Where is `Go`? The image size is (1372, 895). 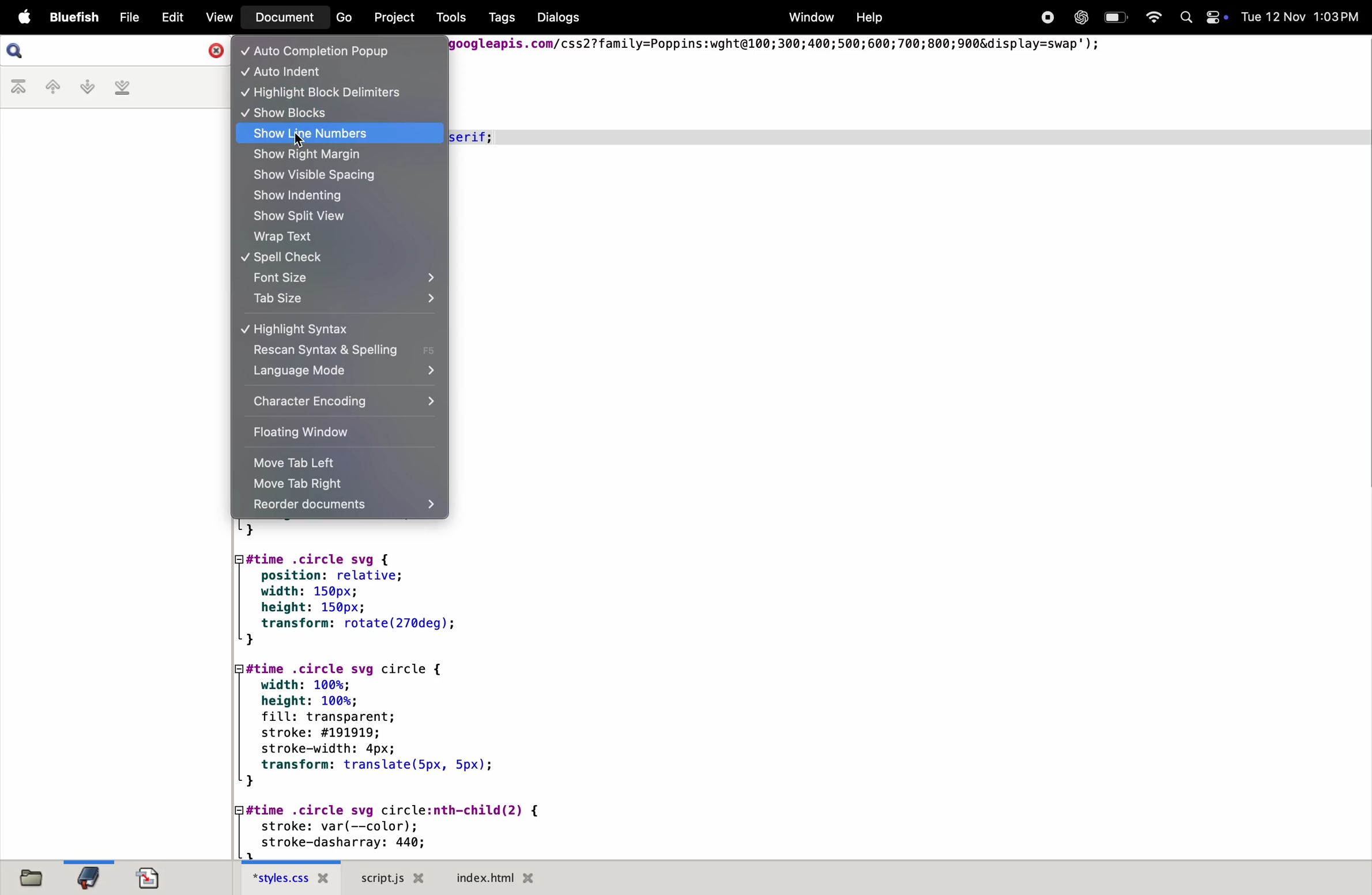
Go is located at coordinates (348, 17).